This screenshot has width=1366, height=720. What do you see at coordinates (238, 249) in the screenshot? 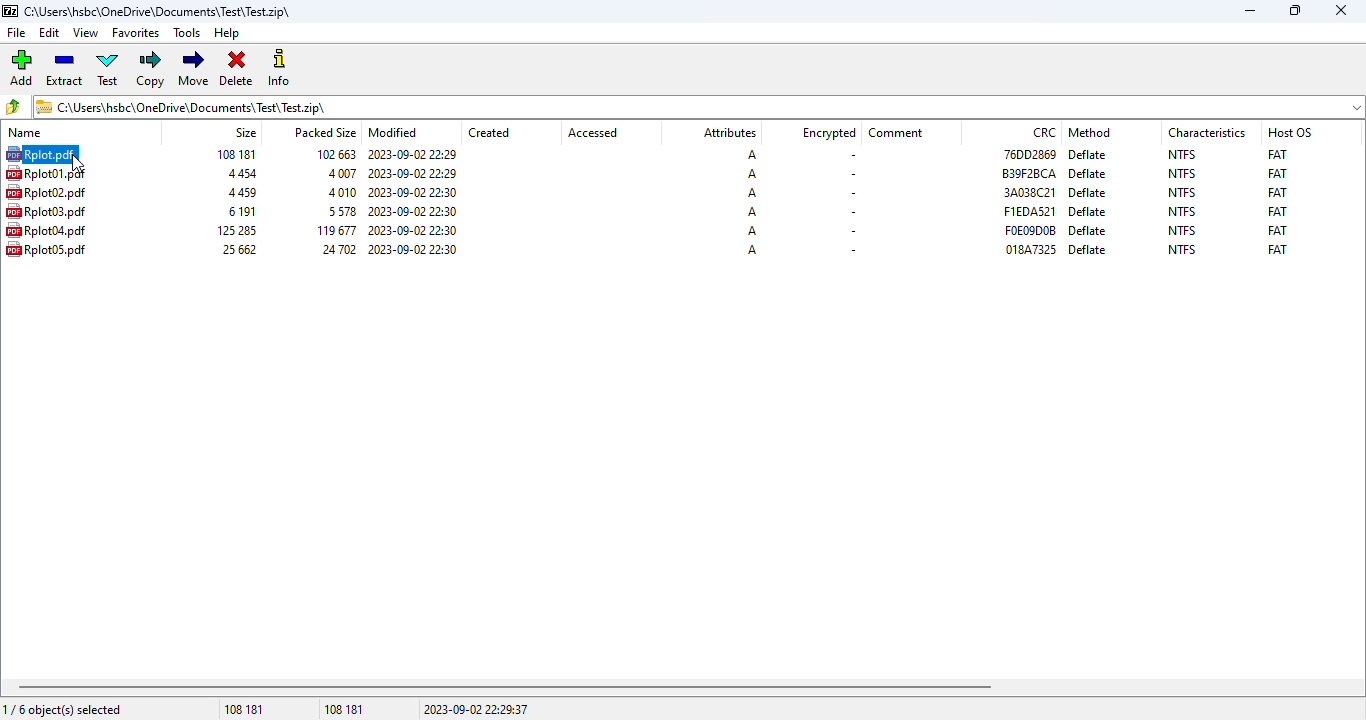
I see `size` at bounding box center [238, 249].